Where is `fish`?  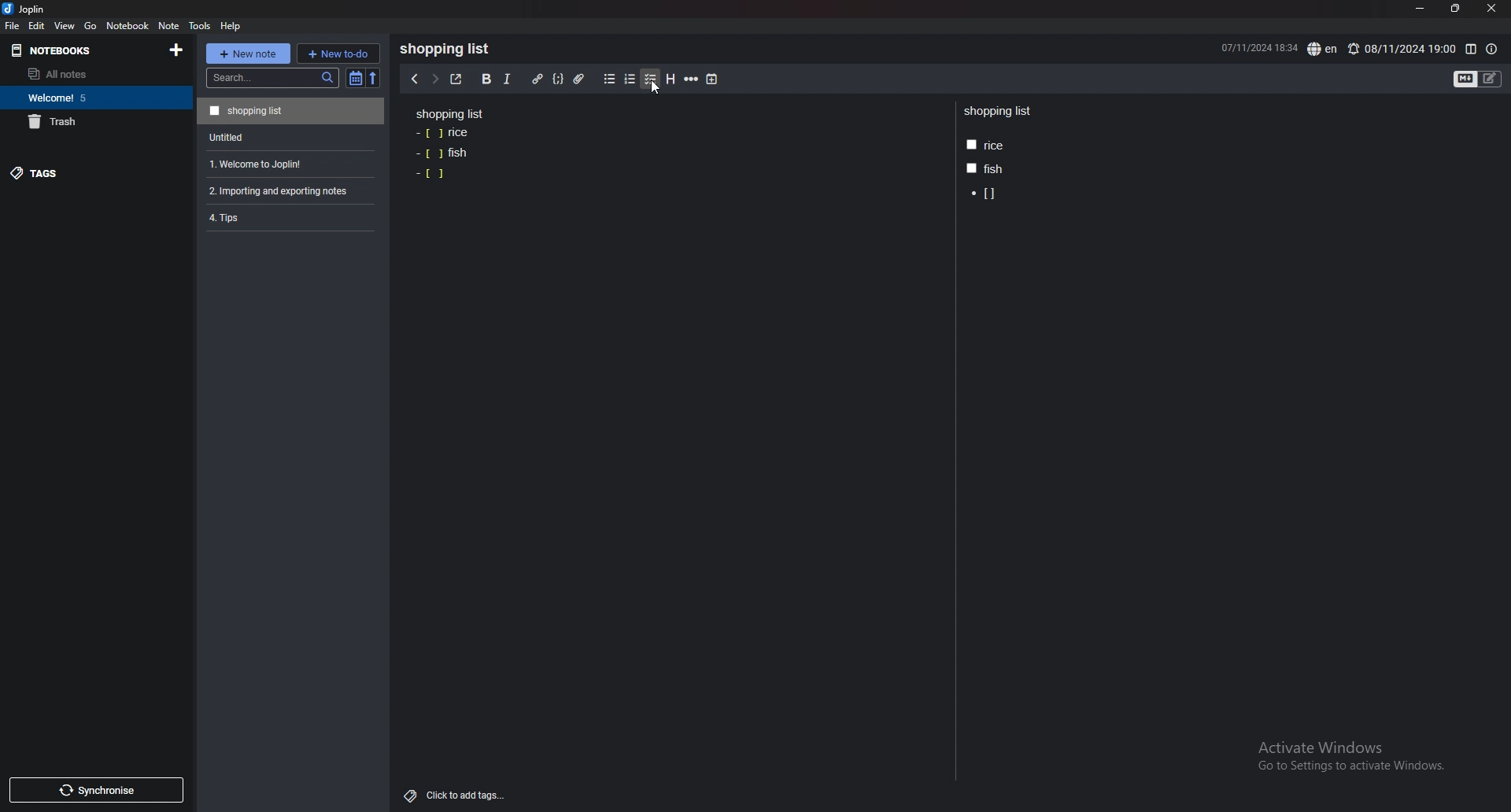 fish is located at coordinates (984, 168).